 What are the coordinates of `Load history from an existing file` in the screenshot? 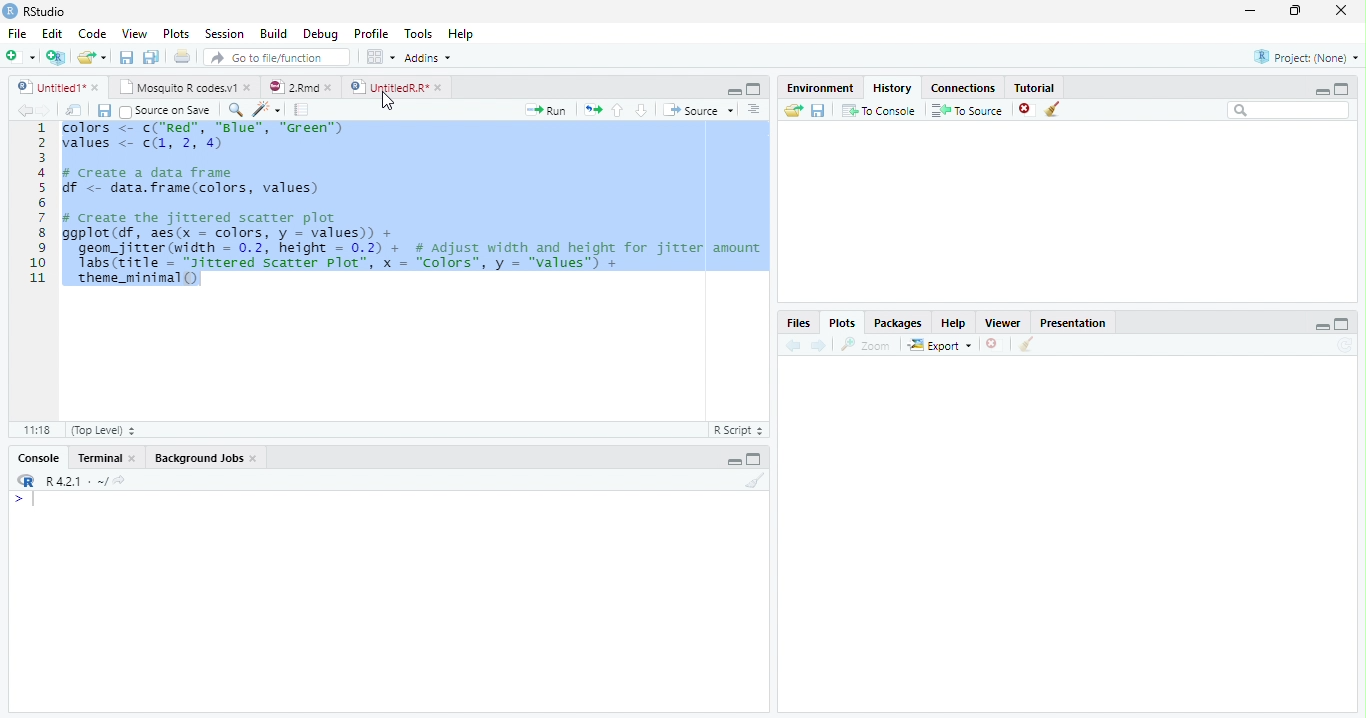 It's located at (793, 110).